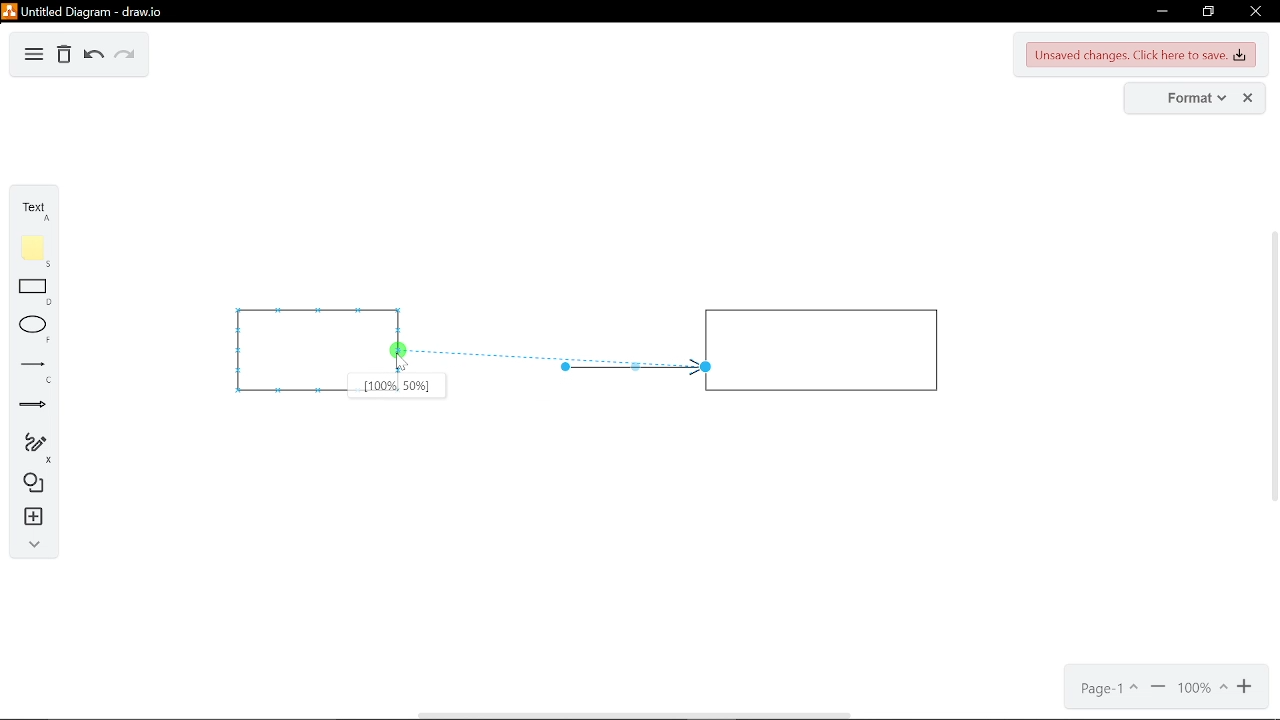 This screenshot has width=1280, height=720. Describe the element at coordinates (473, 352) in the screenshot. I see `arrow being connected` at that location.